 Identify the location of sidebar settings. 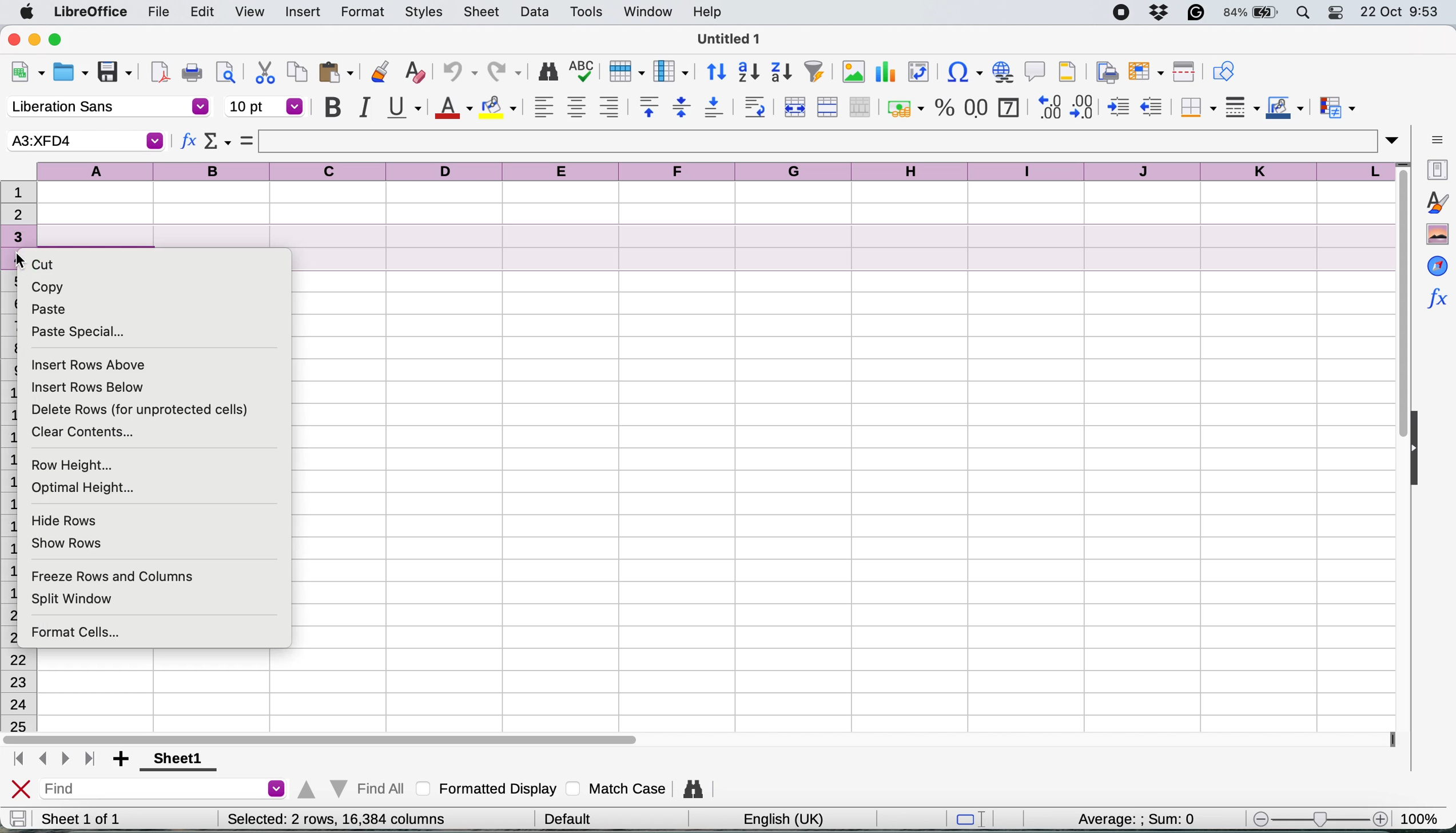
(1437, 138).